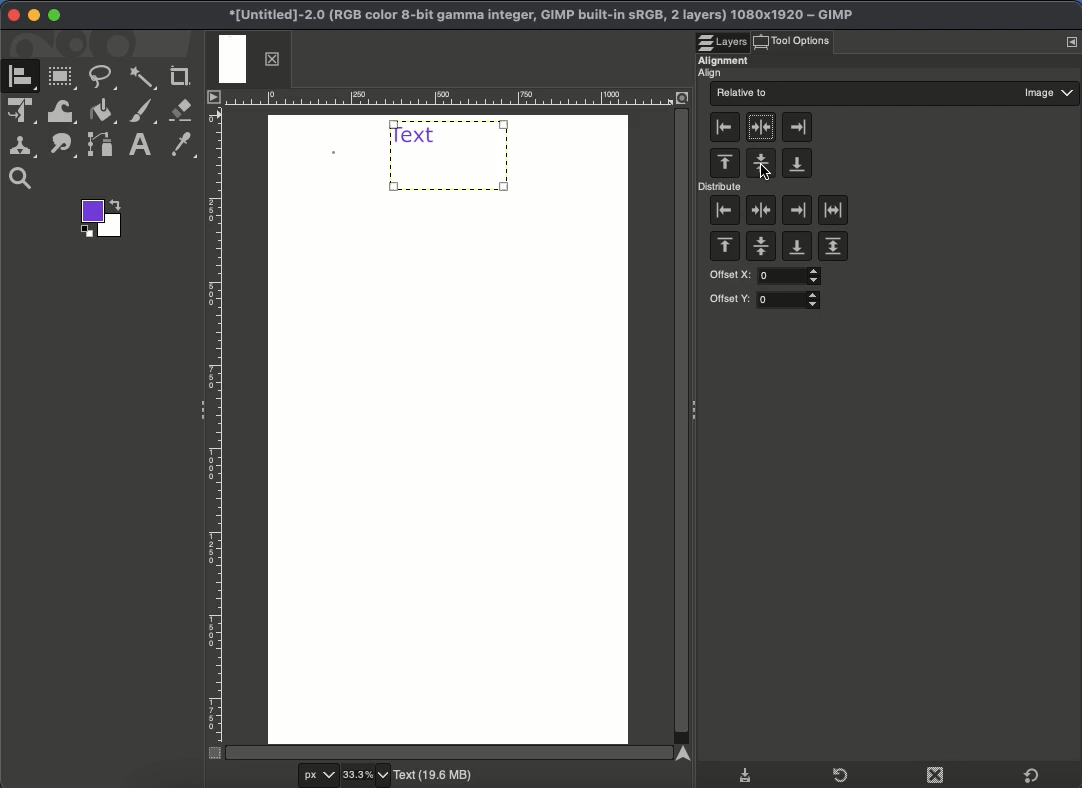 Image resolution: width=1082 pixels, height=788 pixels. Describe the element at coordinates (466, 98) in the screenshot. I see `Ruler` at that location.